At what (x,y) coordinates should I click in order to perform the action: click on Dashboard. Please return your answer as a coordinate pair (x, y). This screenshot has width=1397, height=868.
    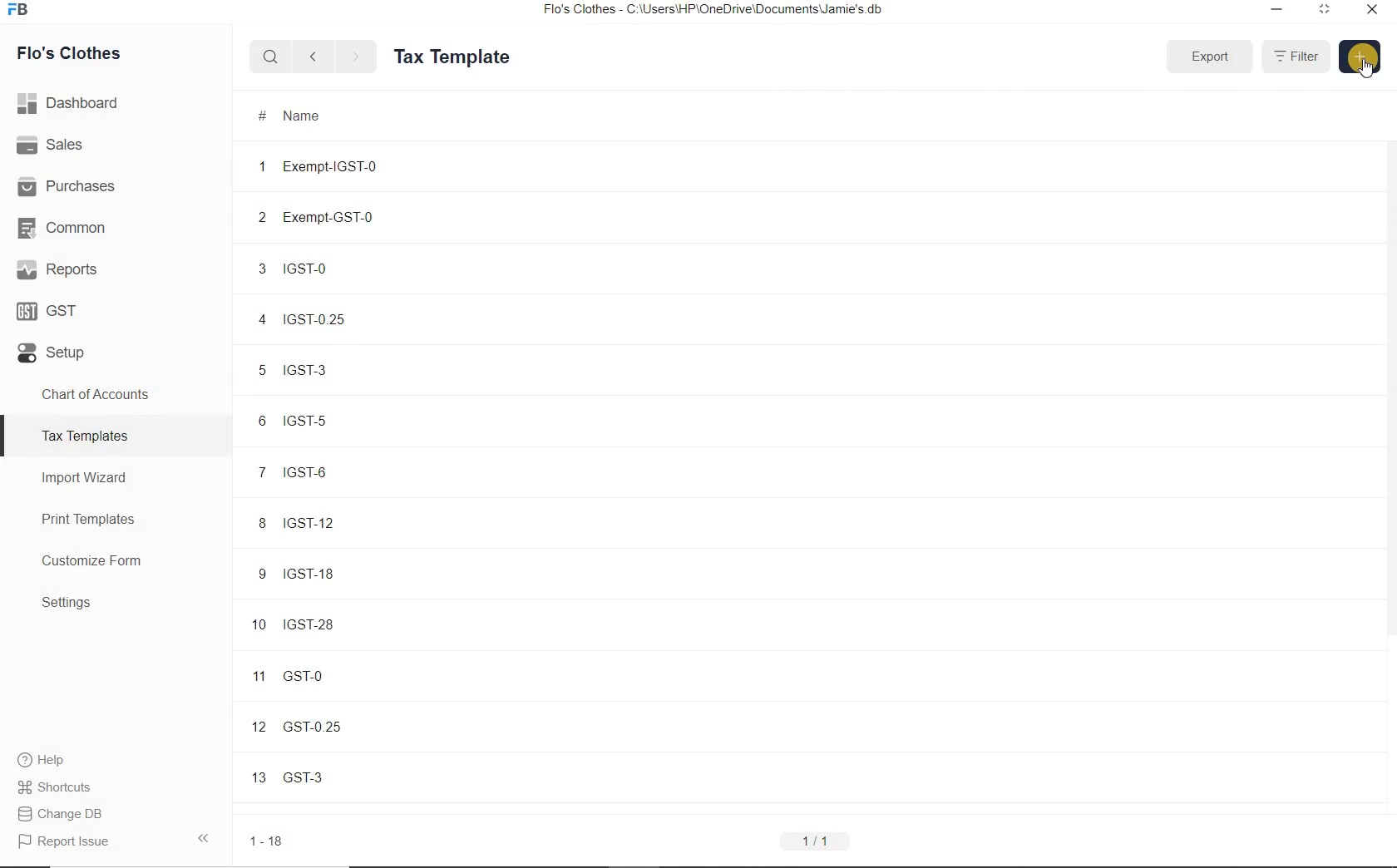
    Looking at the image, I should click on (116, 103).